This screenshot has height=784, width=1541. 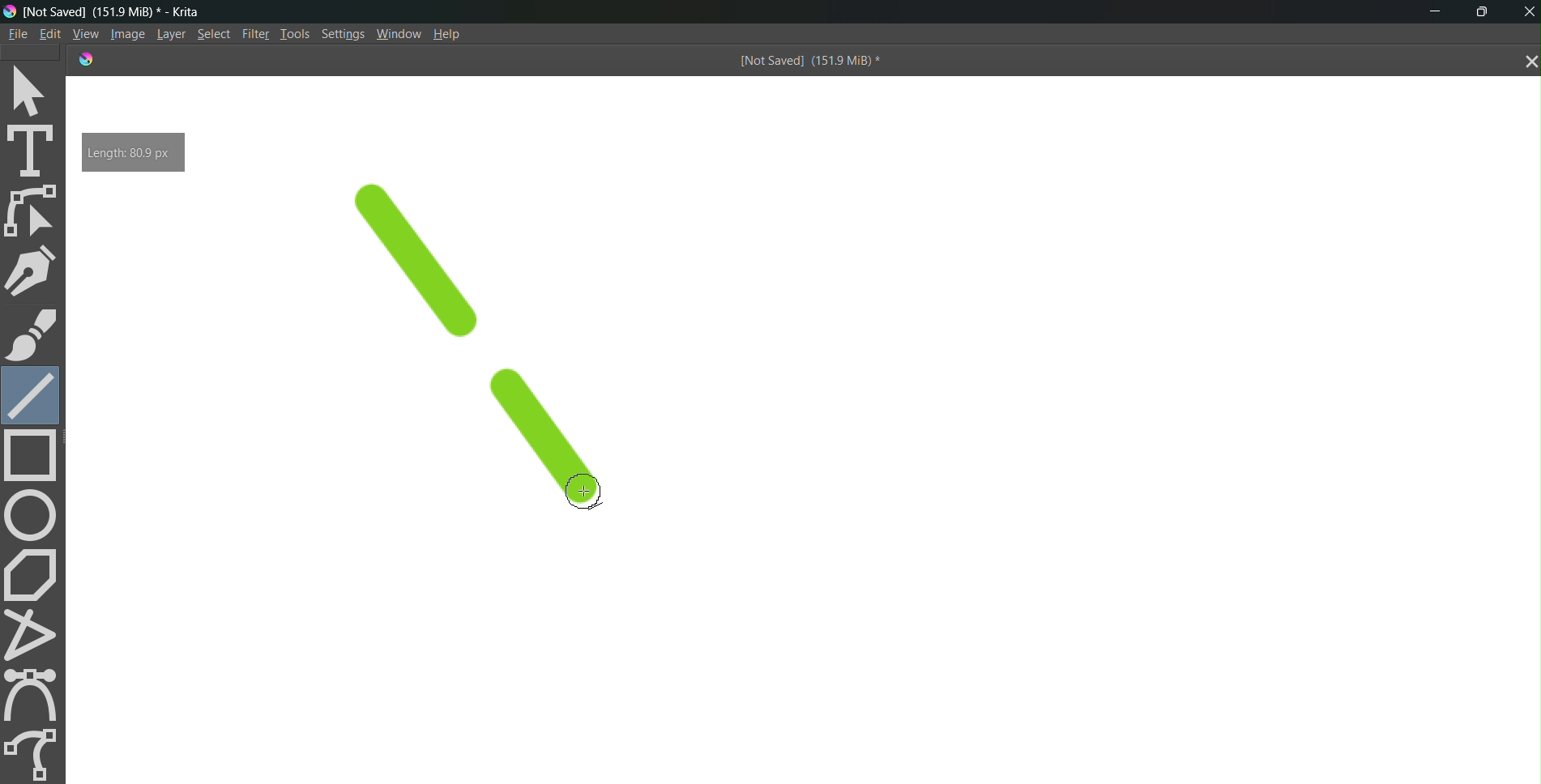 I want to click on select, so click(x=35, y=89).